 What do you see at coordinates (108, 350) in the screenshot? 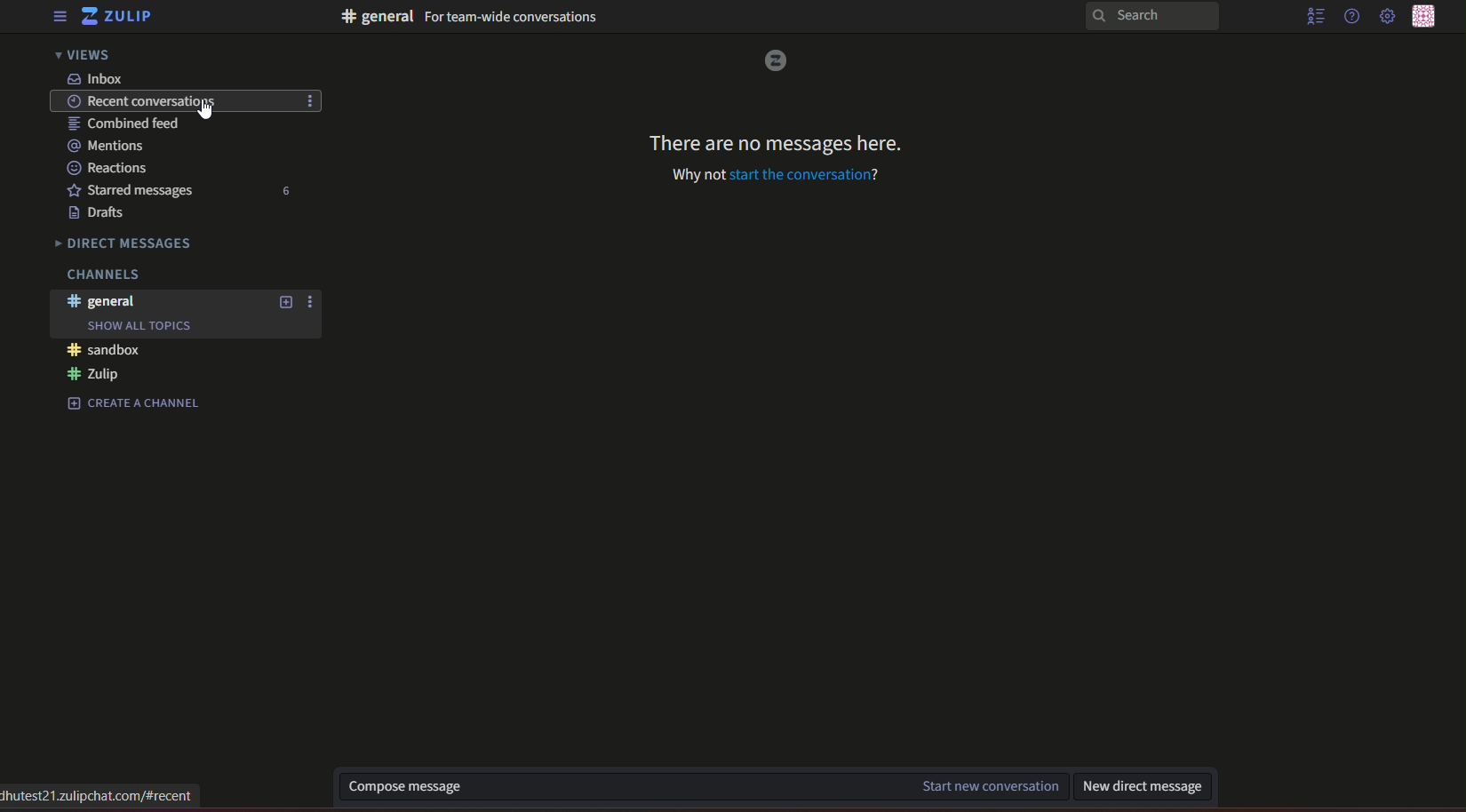
I see `sandbox` at bounding box center [108, 350].